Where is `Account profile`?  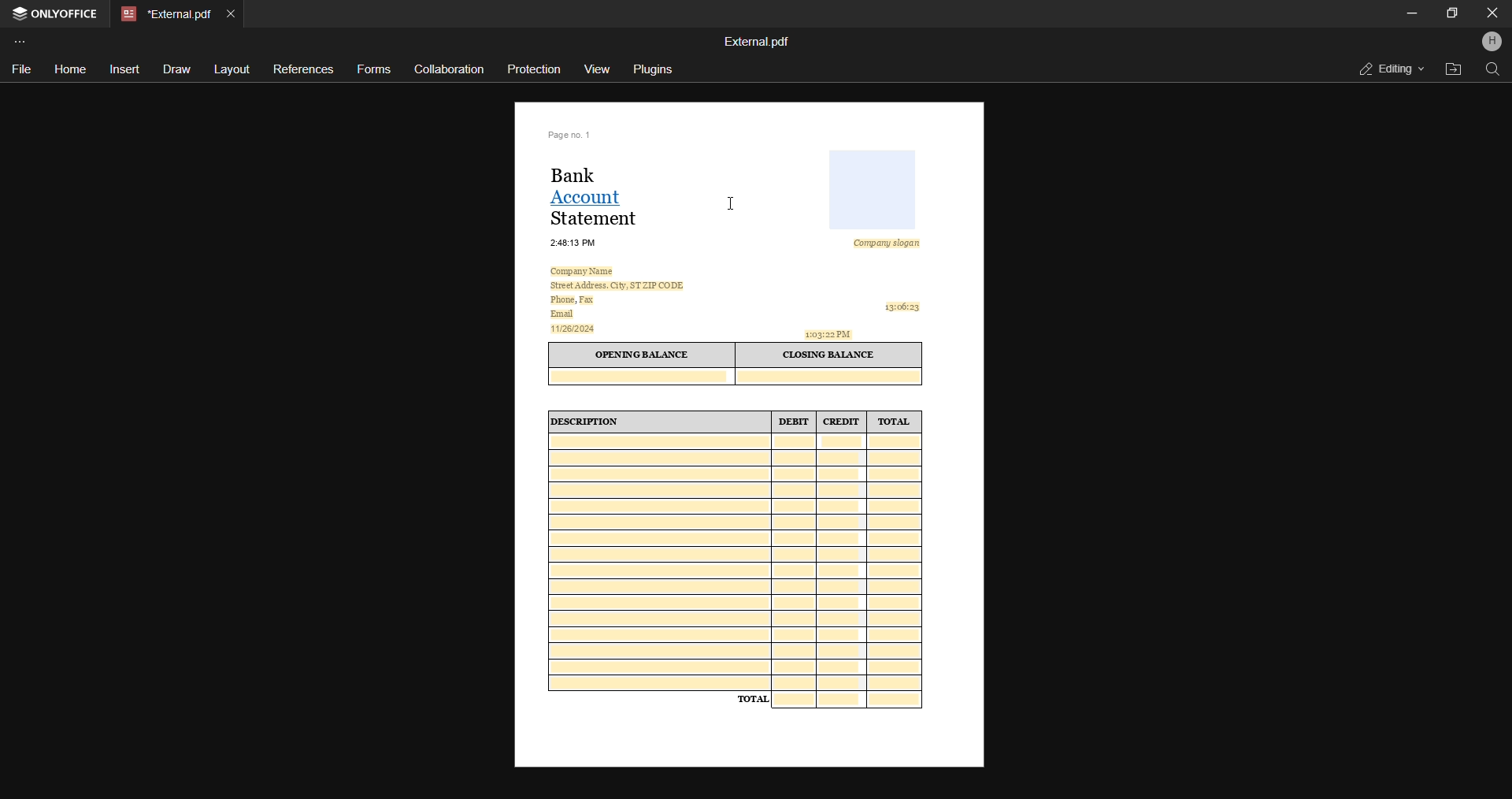 Account profile is located at coordinates (1491, 43).